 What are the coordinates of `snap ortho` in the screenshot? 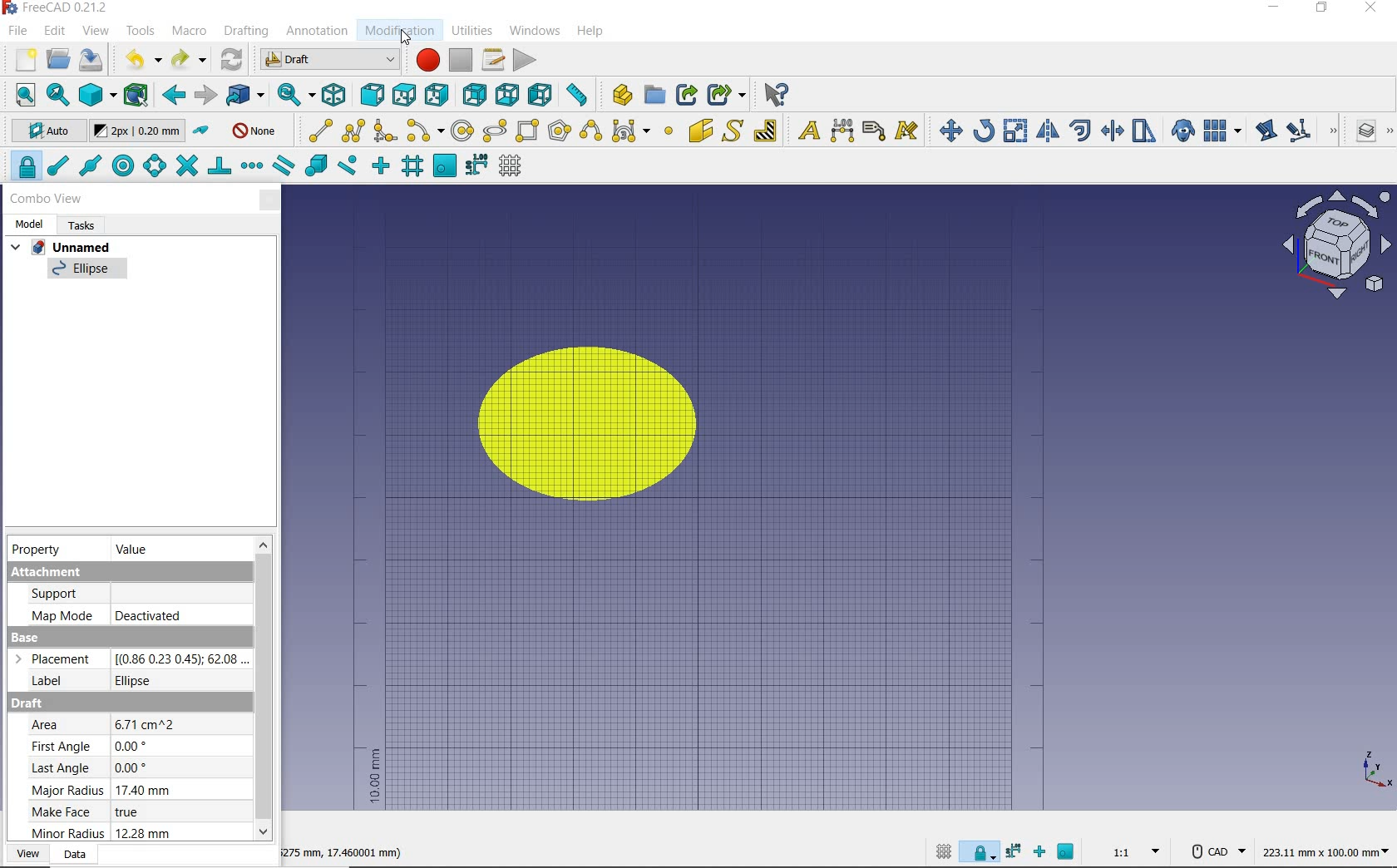 It's located at (1039, 851).